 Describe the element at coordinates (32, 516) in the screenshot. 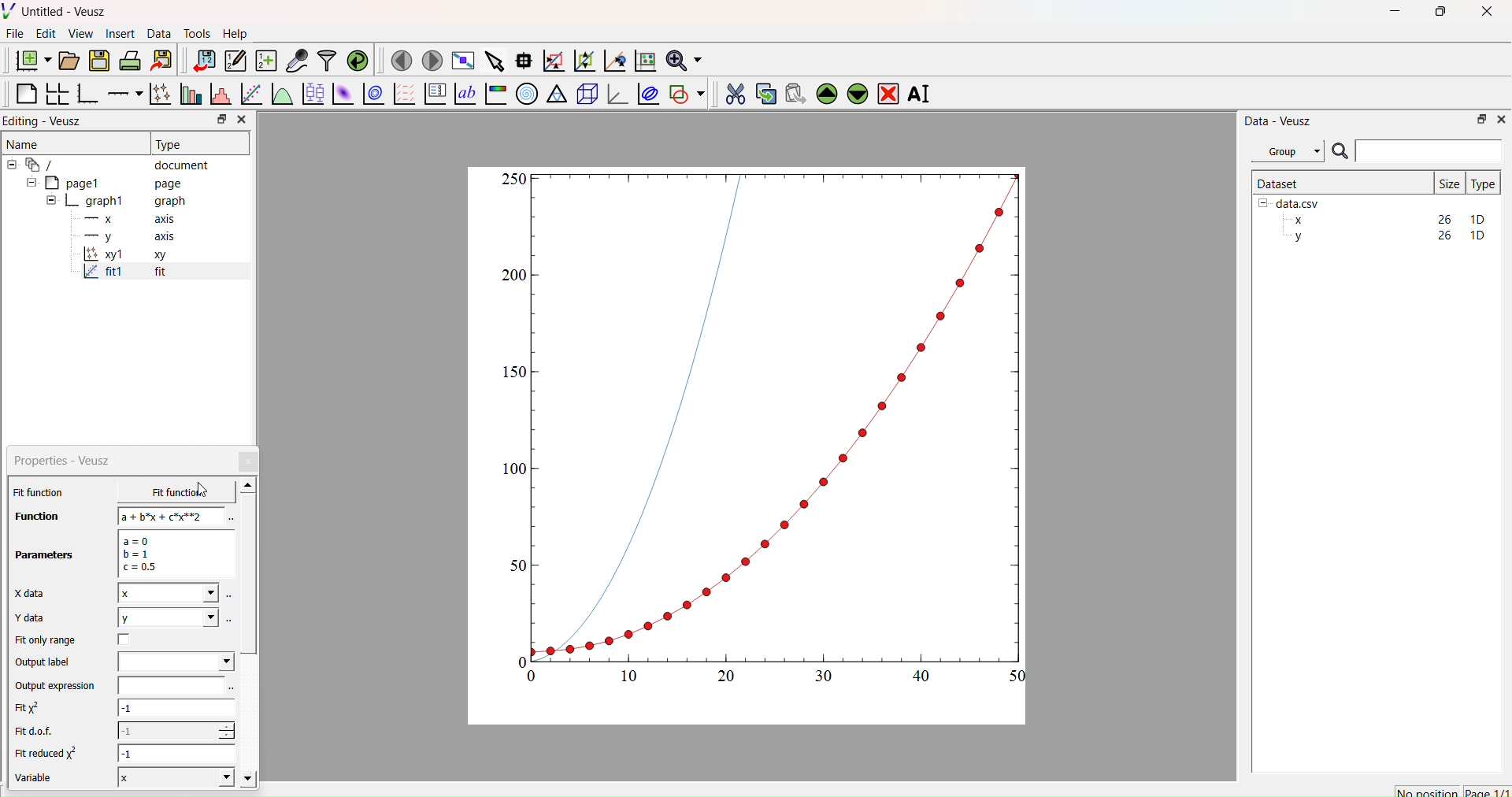

I see `Function` at that location.